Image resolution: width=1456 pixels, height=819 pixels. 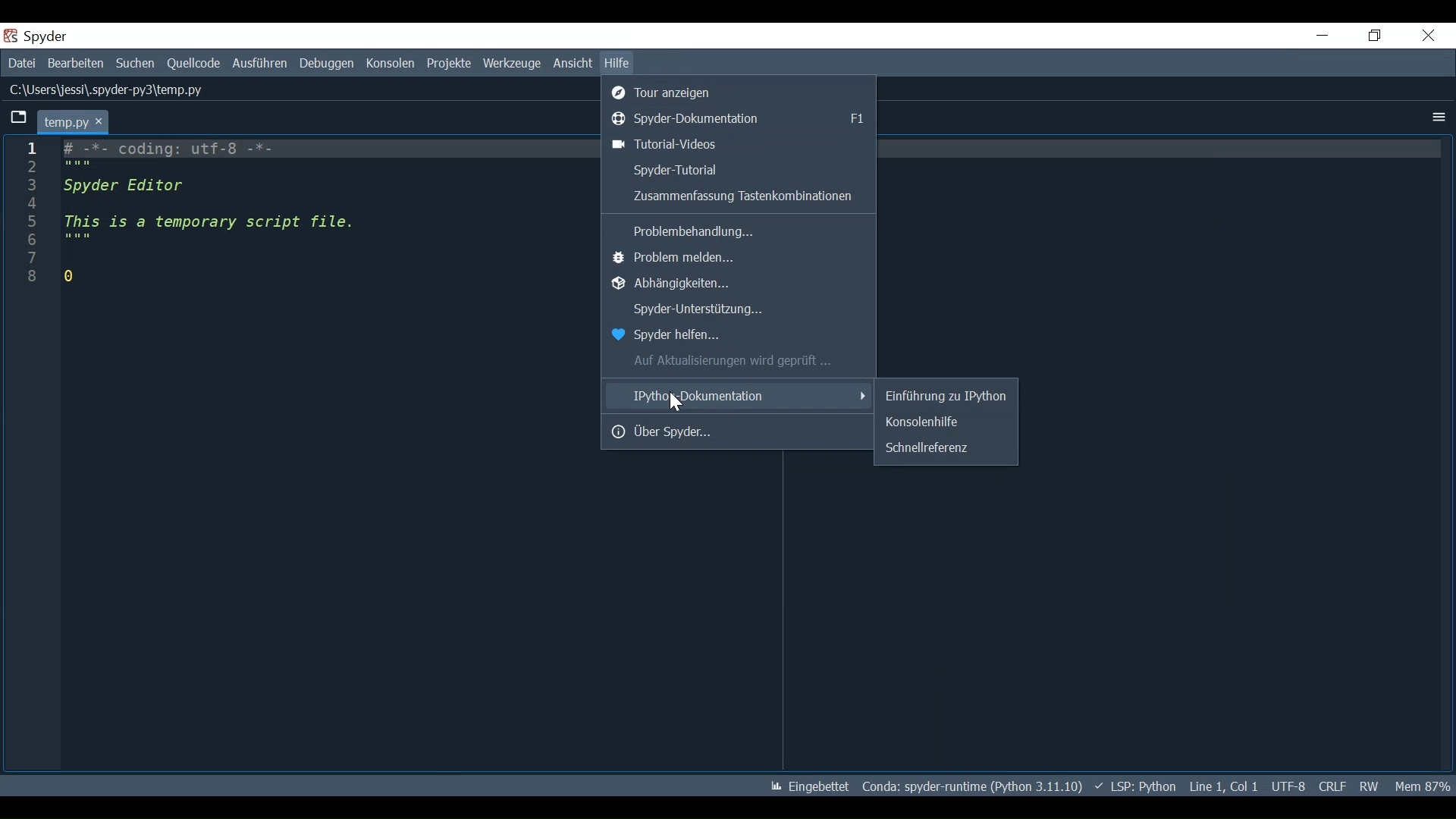 What do you see at coordinates (736, 169) in the screenshot?
I see `Spyder Tutorial` at bounding box center [736, 169].